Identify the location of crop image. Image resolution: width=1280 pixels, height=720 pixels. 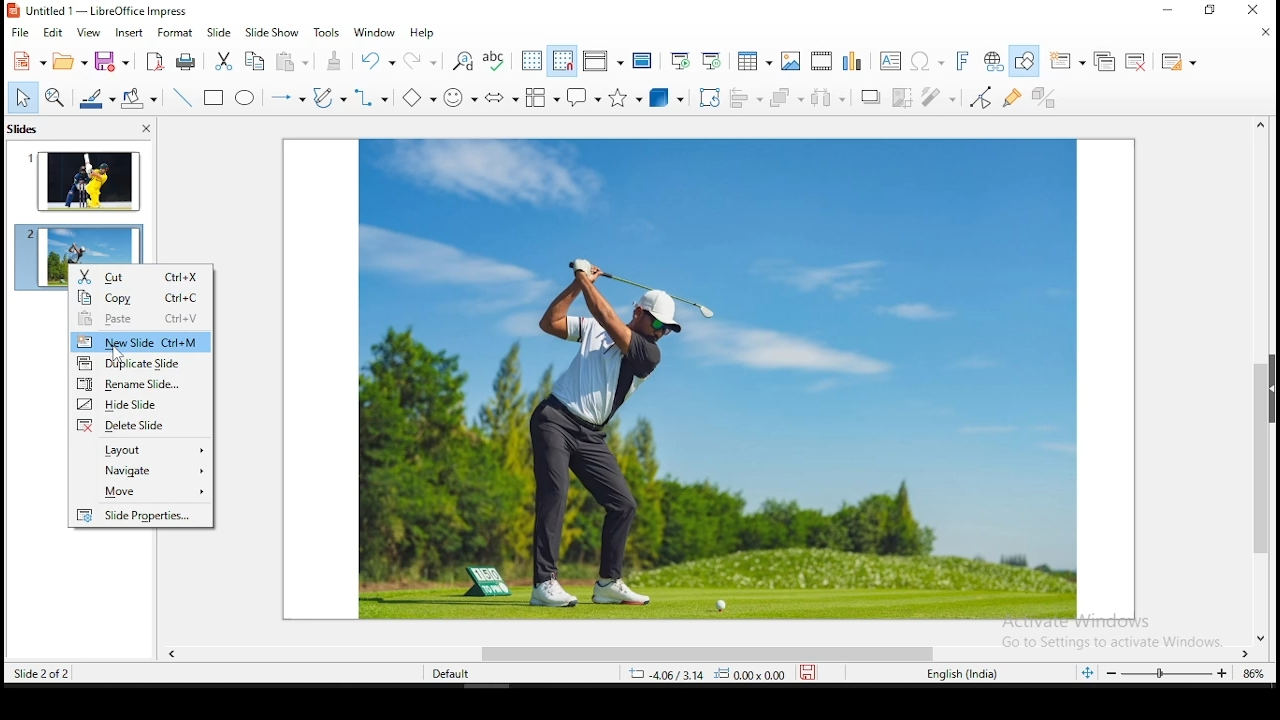
(900, 95).